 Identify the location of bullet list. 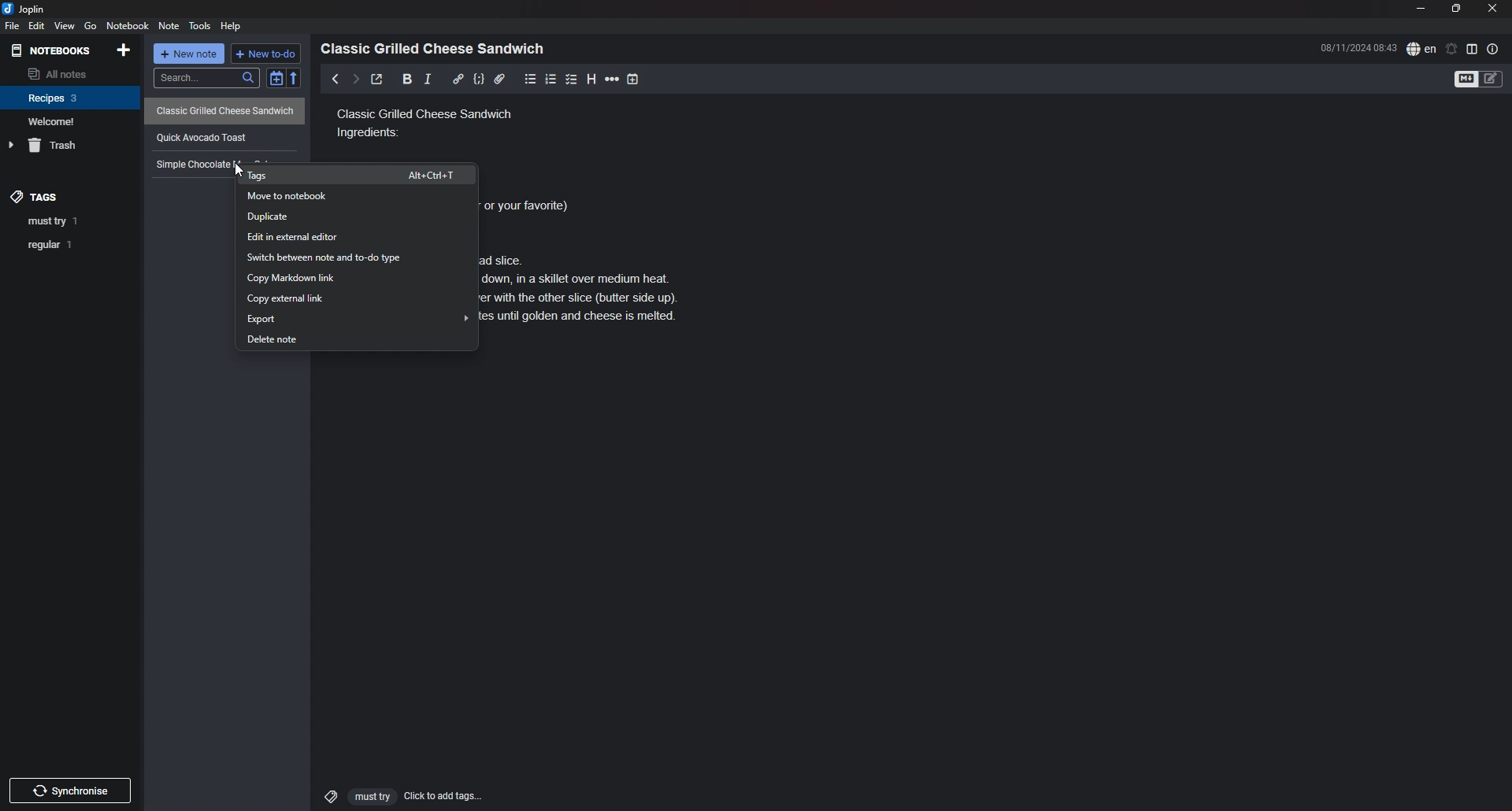
(531, 79).